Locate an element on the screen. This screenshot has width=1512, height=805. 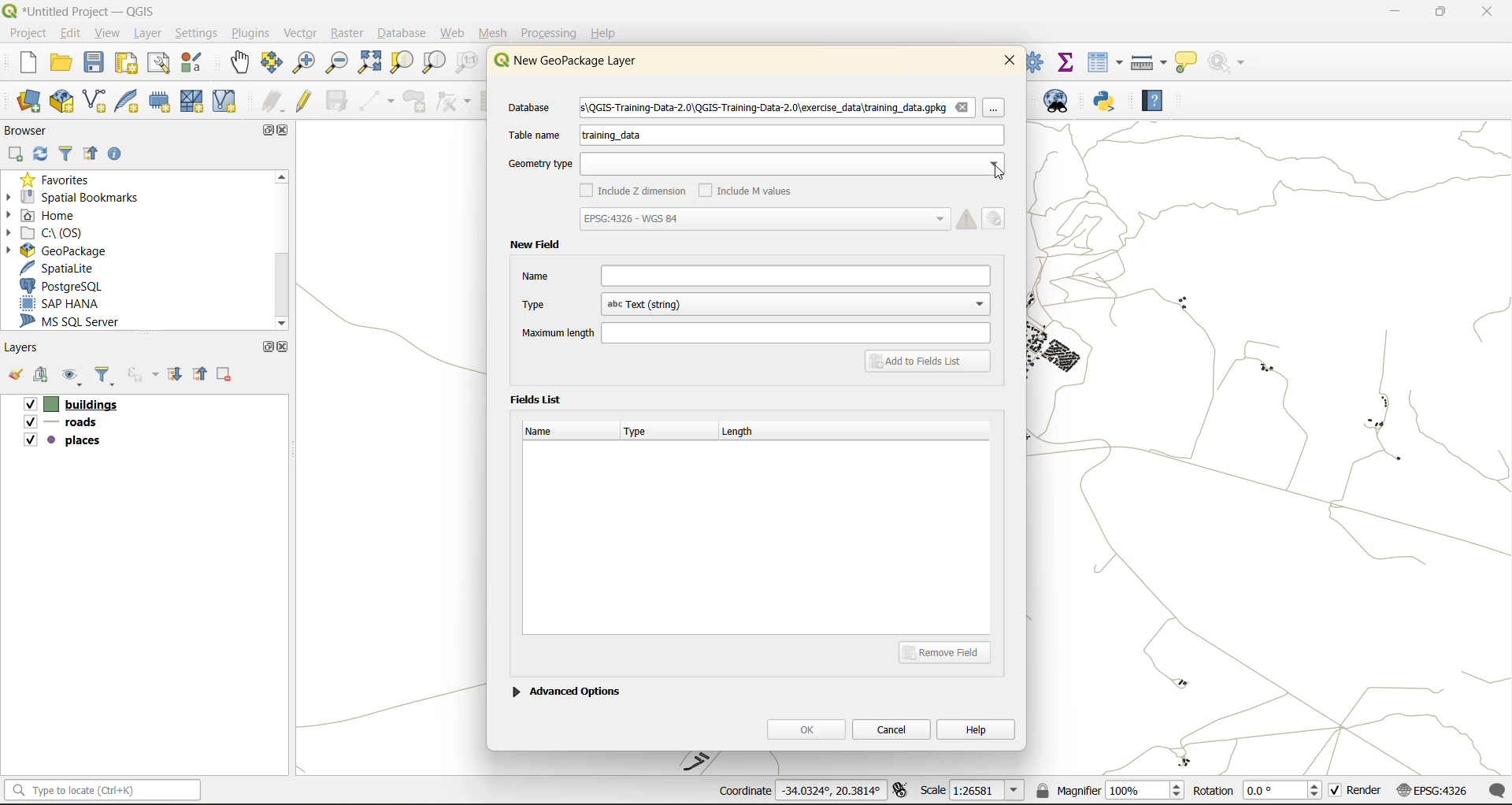
remove is located at coordinates (225, 377).